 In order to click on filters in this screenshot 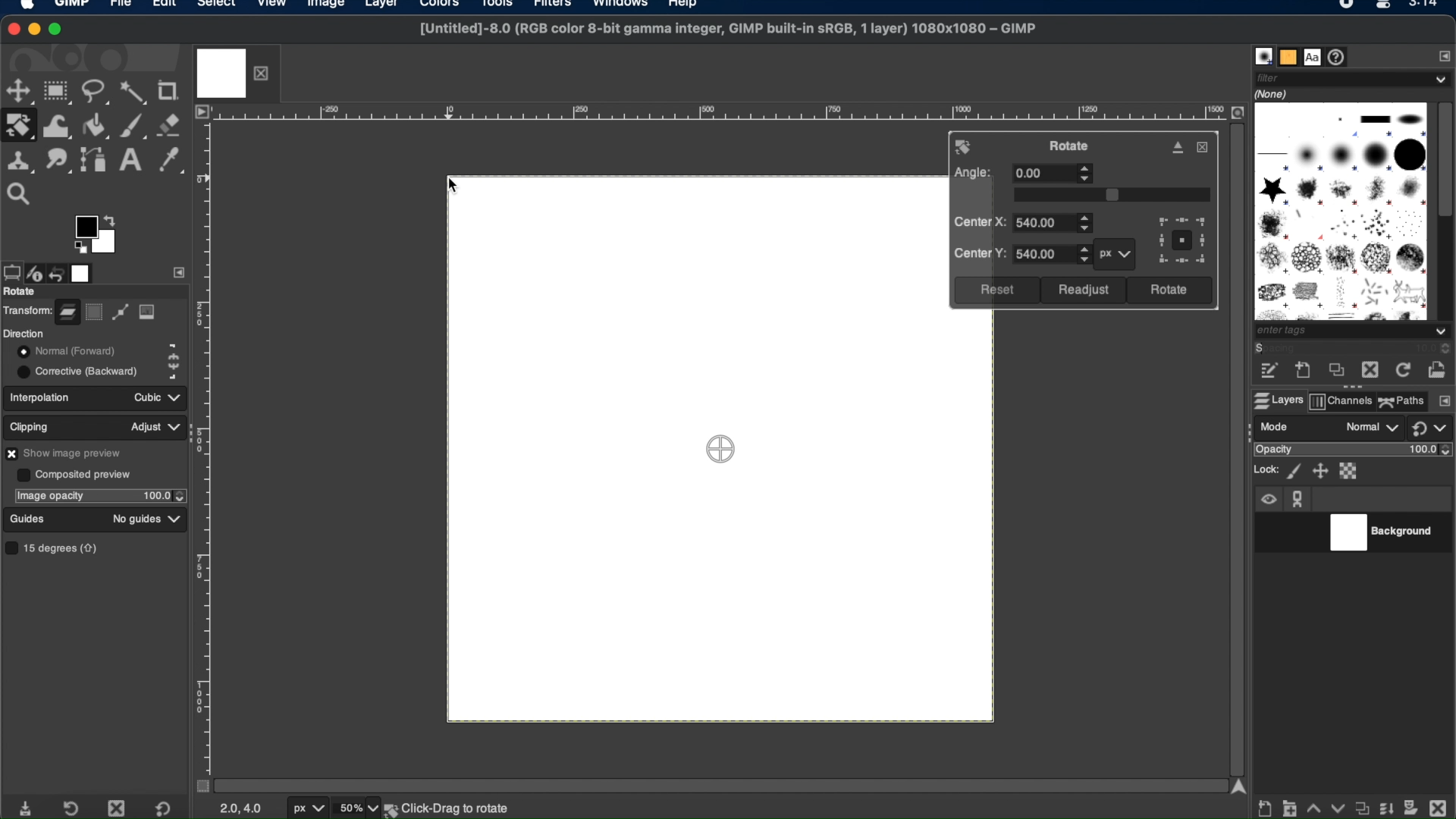, I will do `click(557, 8)`.